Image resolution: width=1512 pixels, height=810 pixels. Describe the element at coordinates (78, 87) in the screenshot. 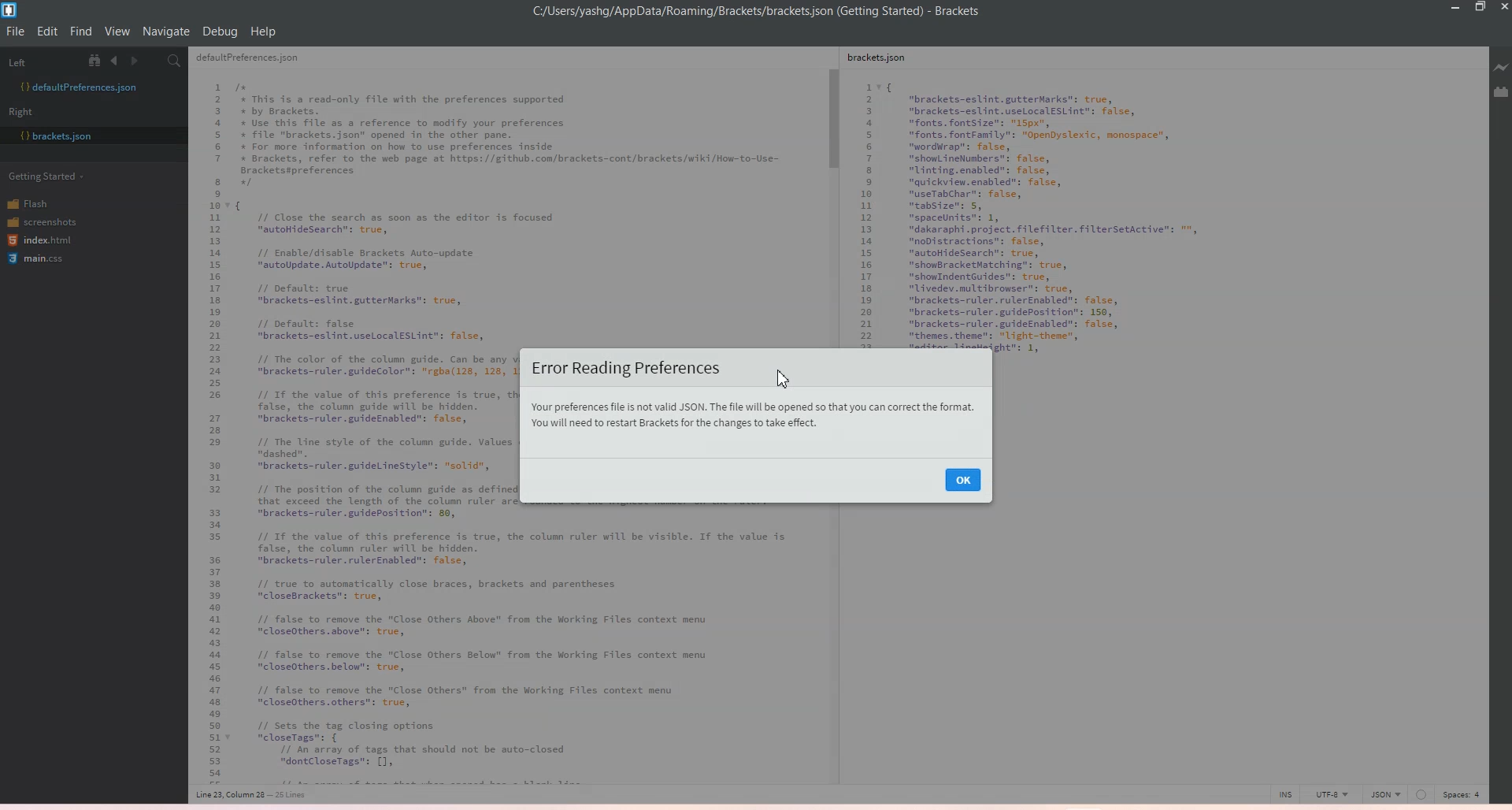

I see `Default Preferences.json` at that location.